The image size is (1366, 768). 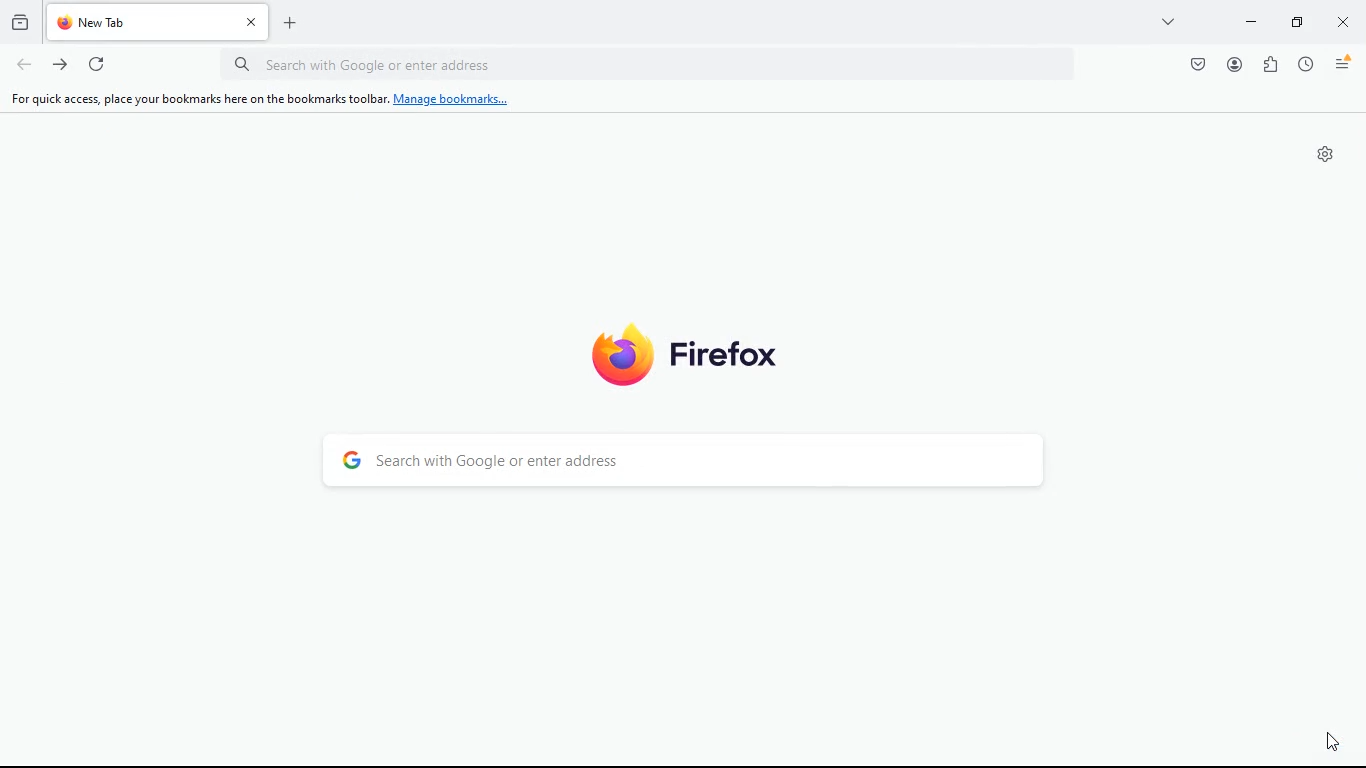 What do you see at coordinates (1235, 64) in the screenshot?
I see `profile` at bounding box center [1235, 64].